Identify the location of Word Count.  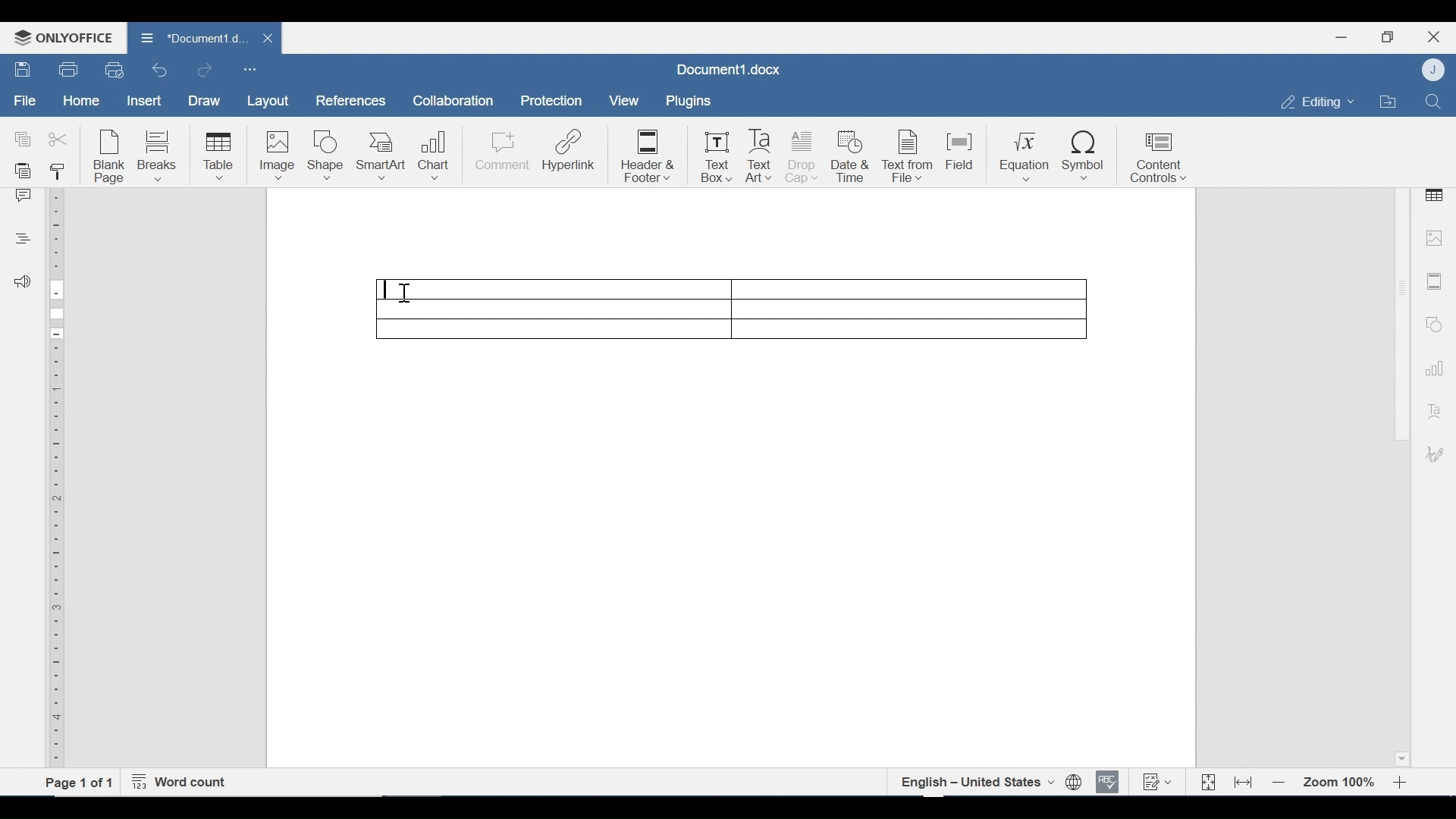
(183, 783).